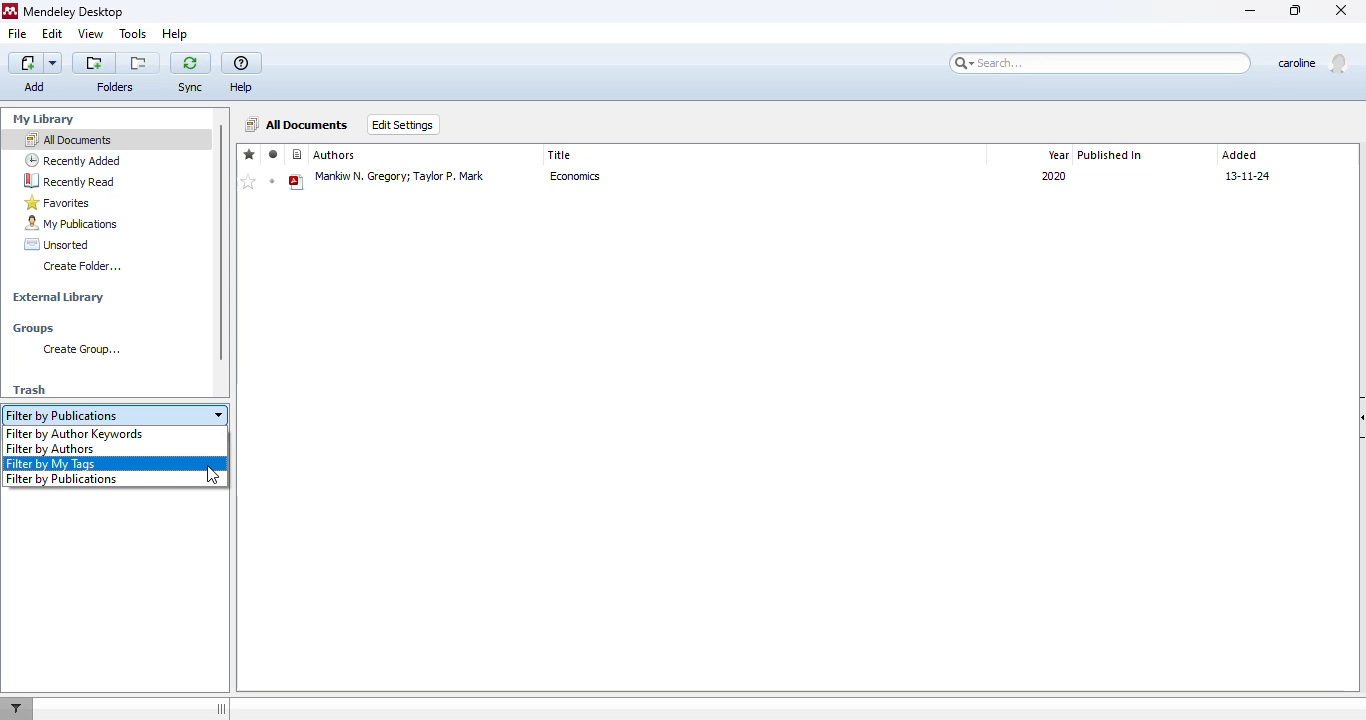 Image resolution: width=1366 pixels, height=720 pixels. What do you see at coordinates (175, 33) in the screenshot?
I see `help` at bounding box center [175, 33].